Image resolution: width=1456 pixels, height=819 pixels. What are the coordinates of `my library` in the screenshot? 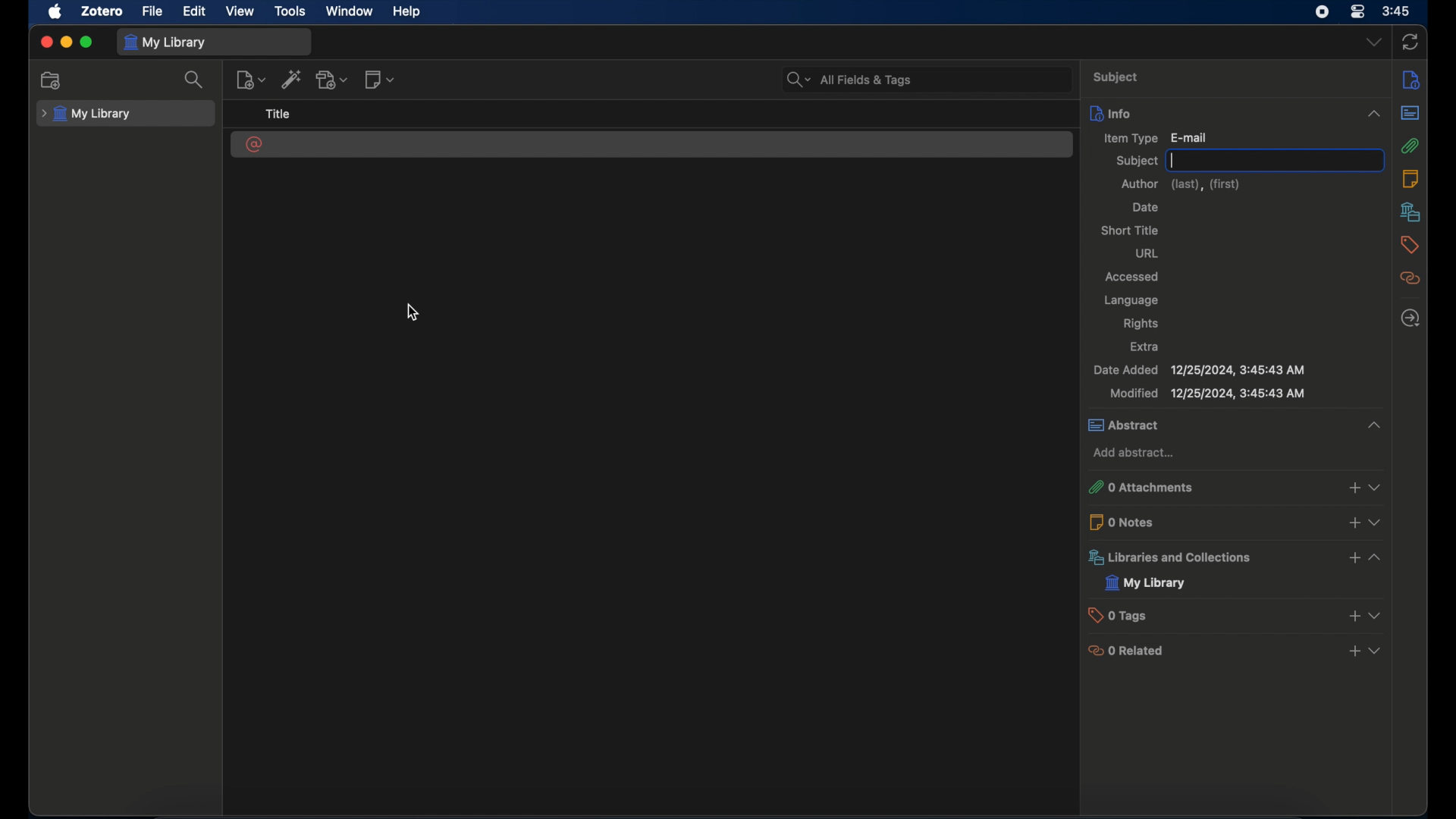 It's located at (168, 42).